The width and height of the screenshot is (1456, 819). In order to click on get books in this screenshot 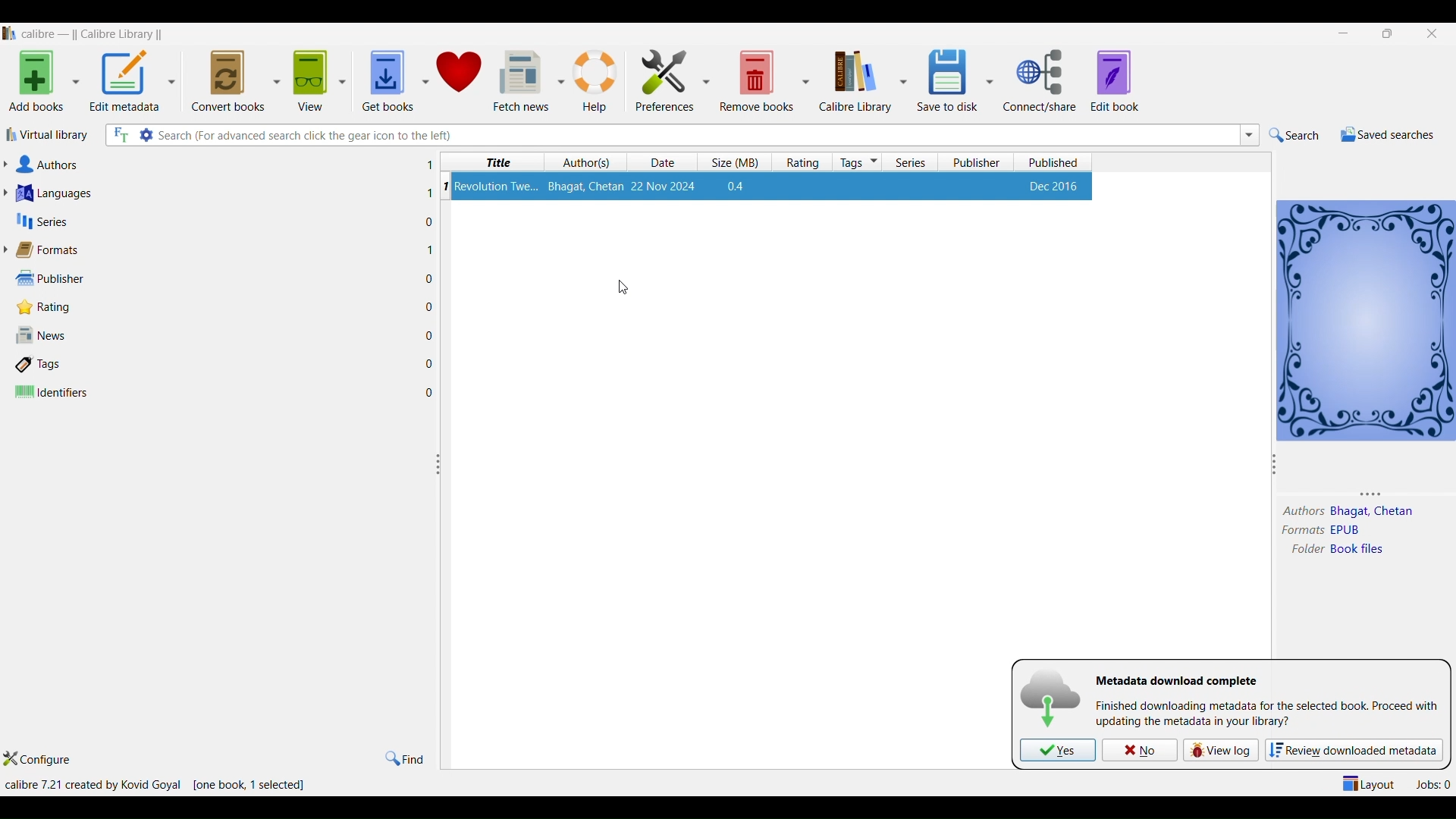, I will do `click(384, 77)`.